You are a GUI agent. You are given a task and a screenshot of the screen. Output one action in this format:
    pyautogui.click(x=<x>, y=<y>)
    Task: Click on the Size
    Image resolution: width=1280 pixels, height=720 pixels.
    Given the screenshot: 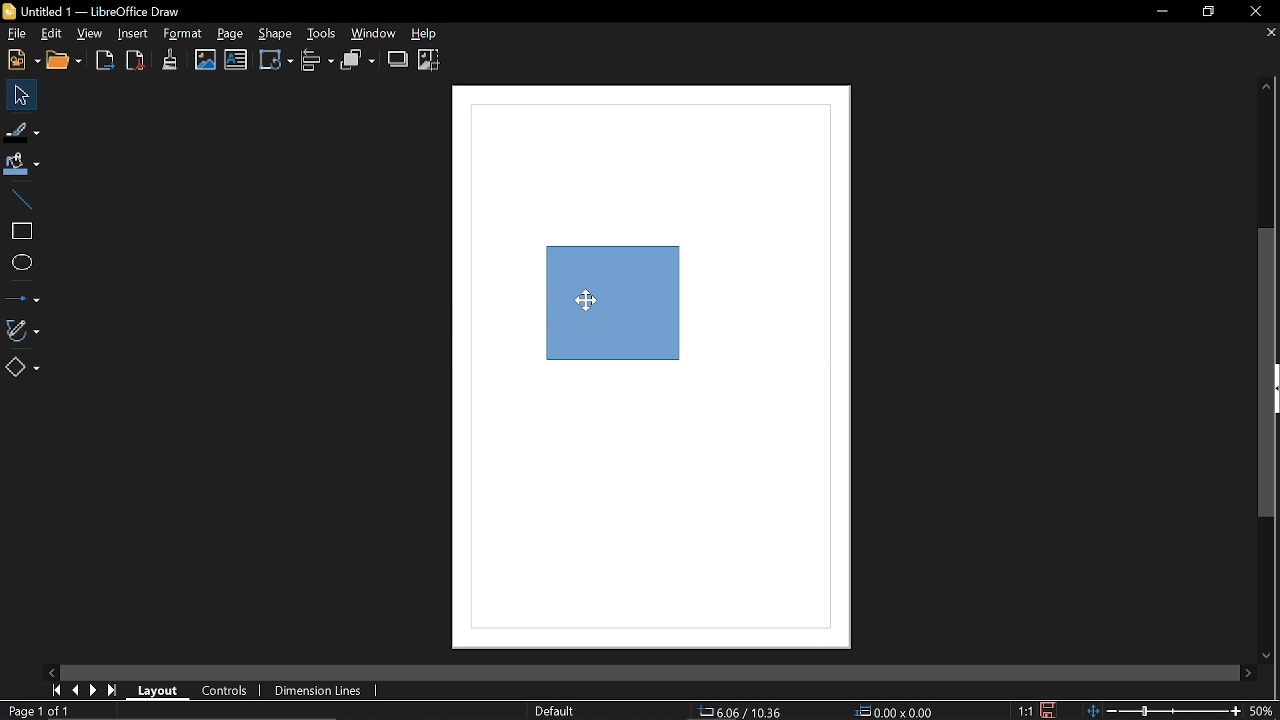 What is the action you would take?
    pyautogui.click(x=895, y=711)
    